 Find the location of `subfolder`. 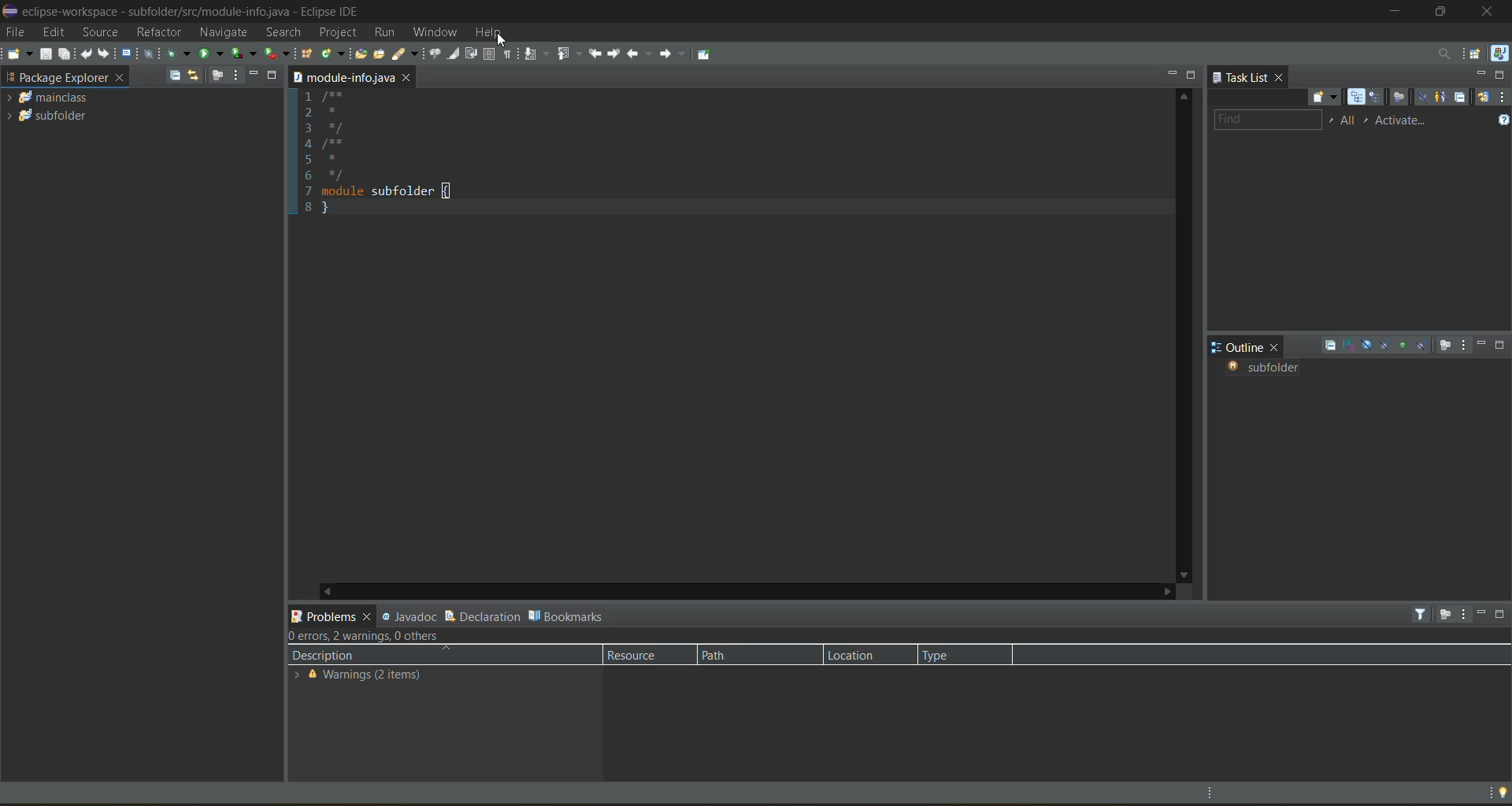

subfolder is located at coordinates (1272, 368).